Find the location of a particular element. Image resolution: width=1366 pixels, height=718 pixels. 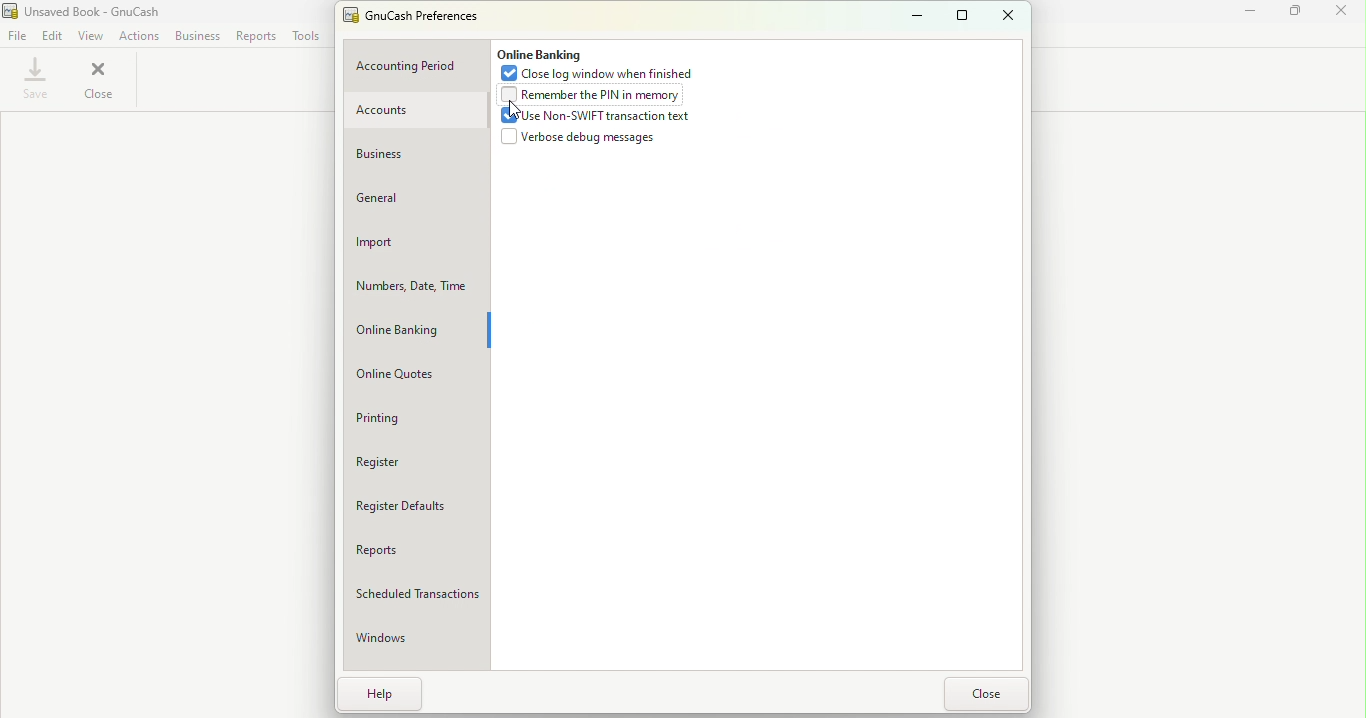

minimize is located at coordinates (917, 15).